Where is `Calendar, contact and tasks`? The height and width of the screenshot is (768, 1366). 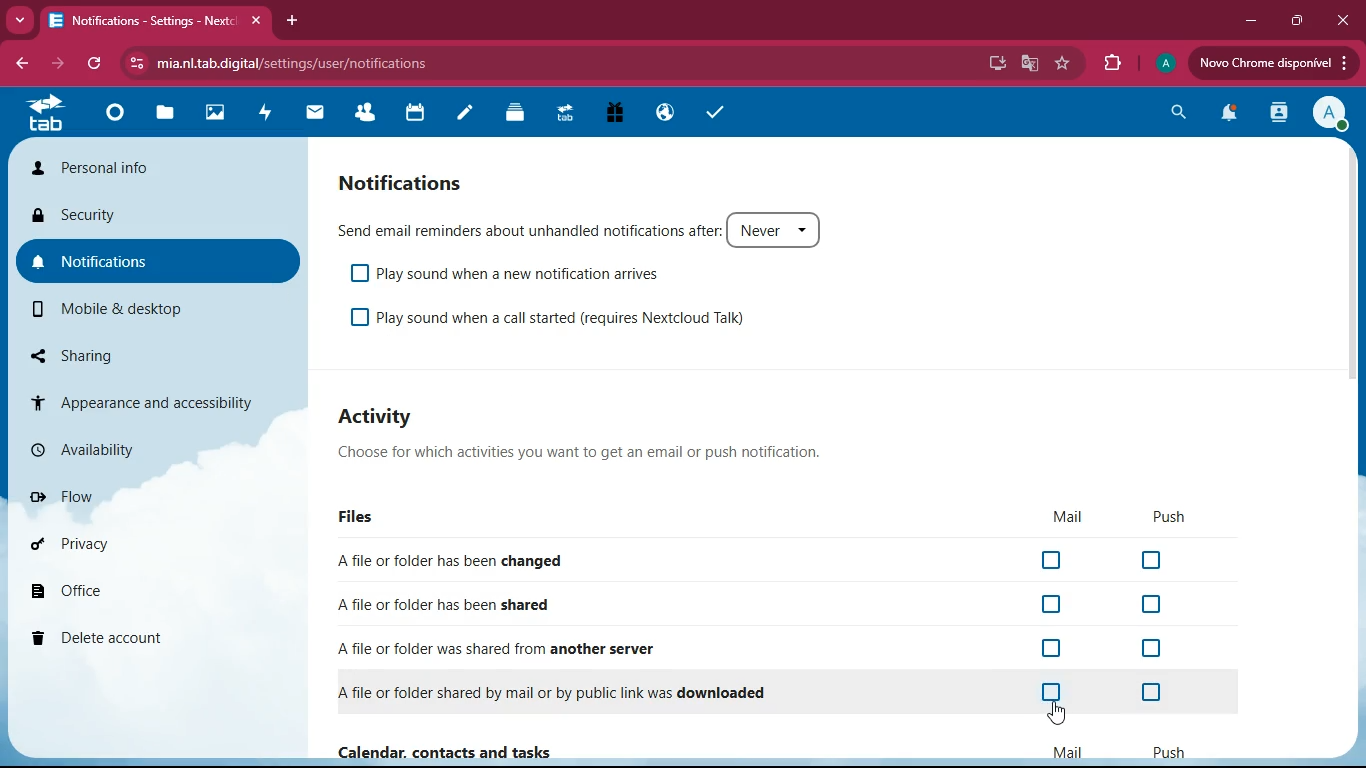
Calendar, contact and tasks is located at coordinates (449, 753).